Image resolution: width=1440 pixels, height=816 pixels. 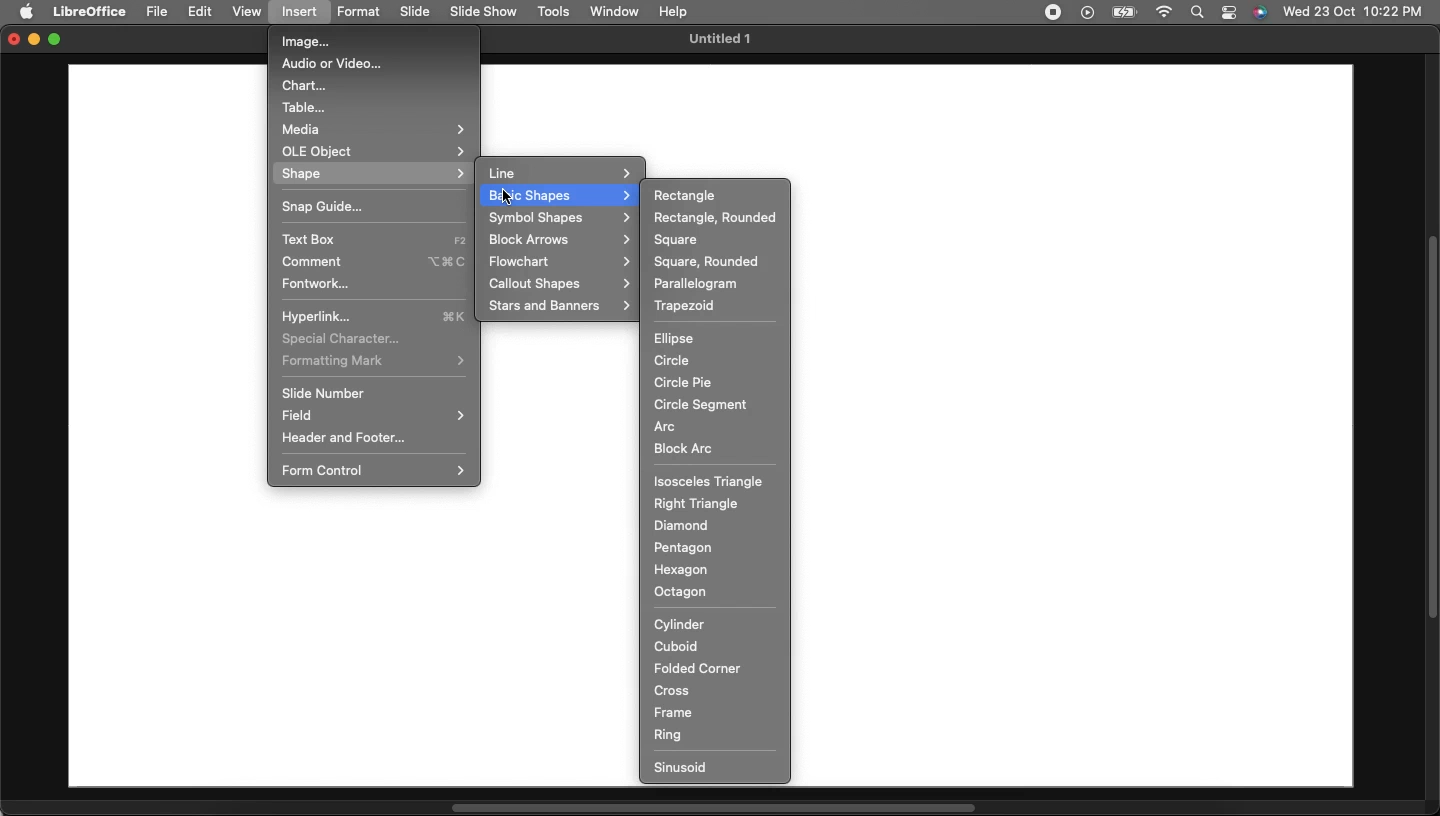 What do you see at coordinates (301, 12) in the screenshot?
I see `Insert` at bounding box center [301, 12].